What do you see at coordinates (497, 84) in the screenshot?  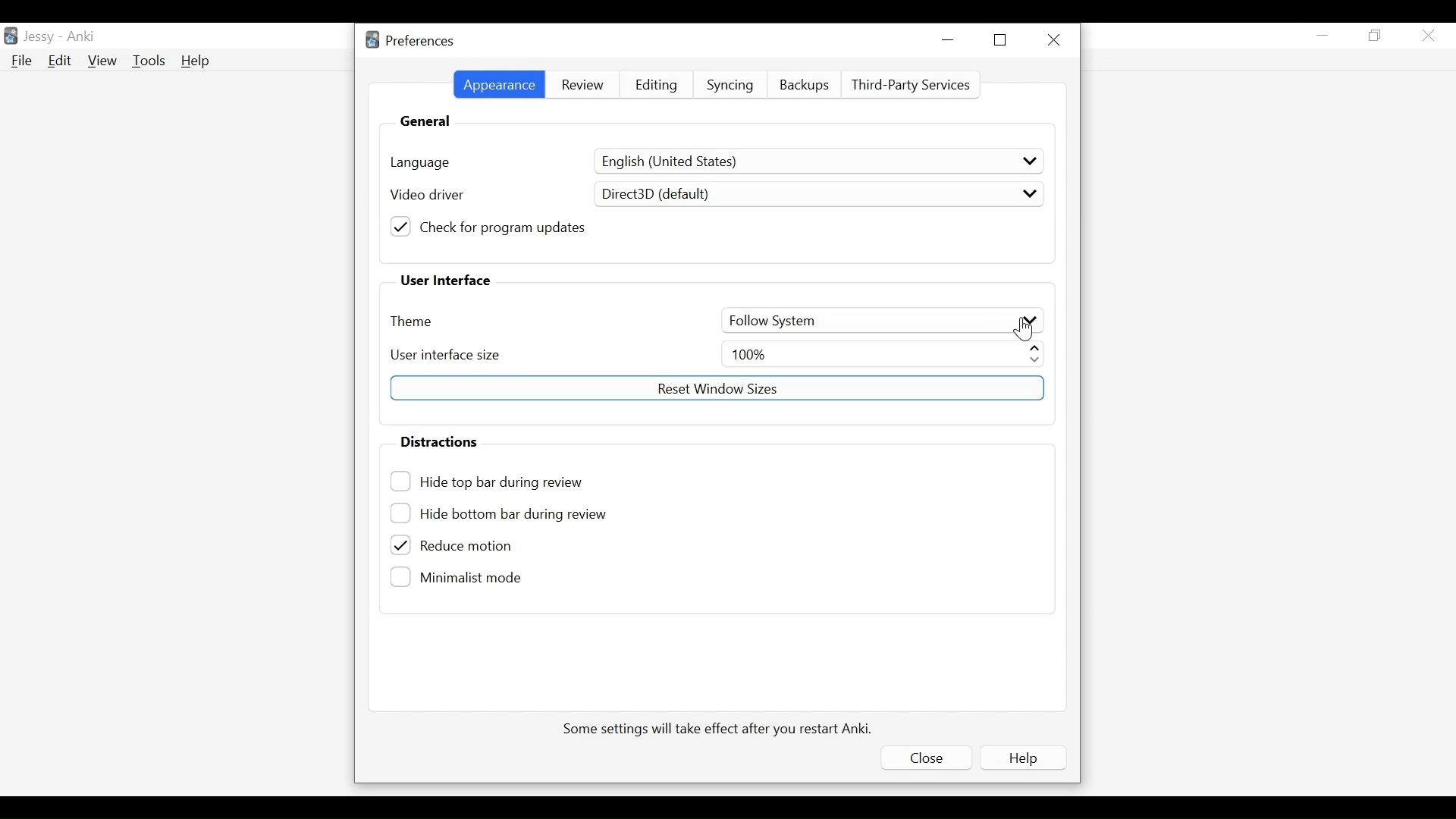 I see `Appearance` at bounding box center [497, 84].